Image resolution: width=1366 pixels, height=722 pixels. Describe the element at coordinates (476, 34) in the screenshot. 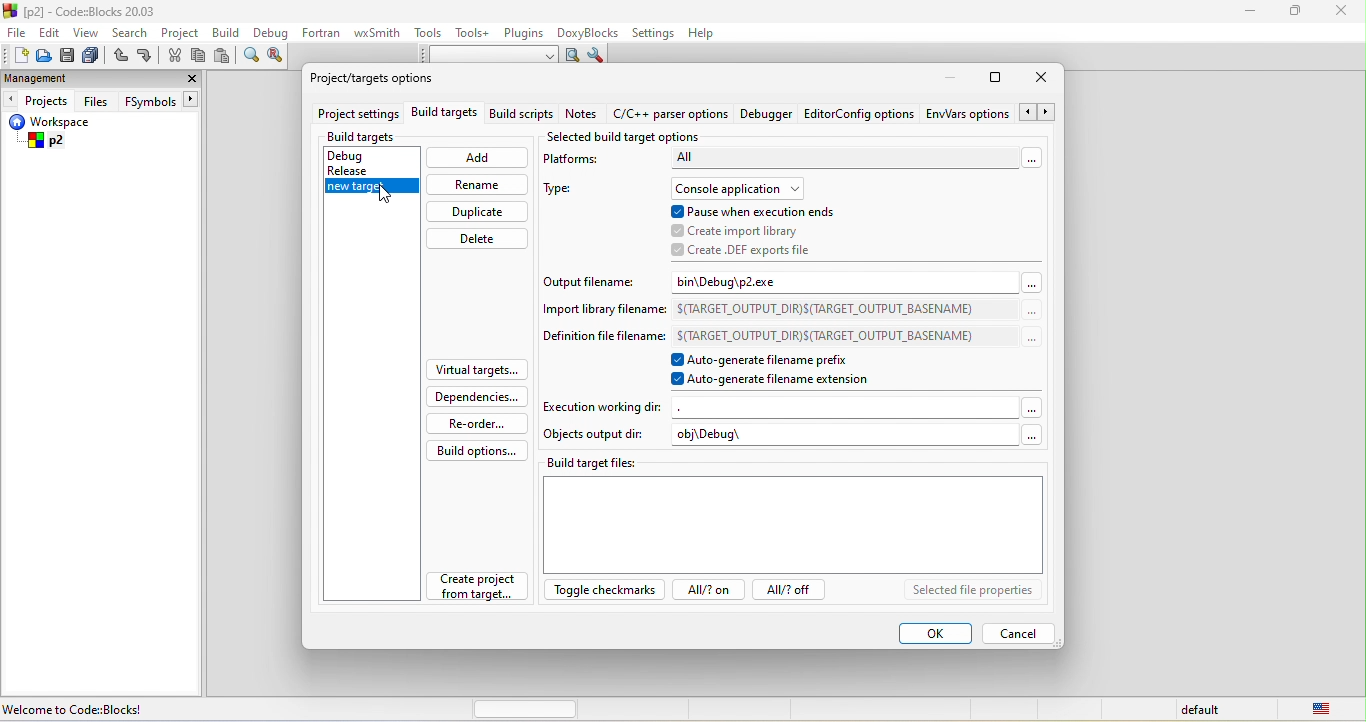

I see `tools++` at that location.